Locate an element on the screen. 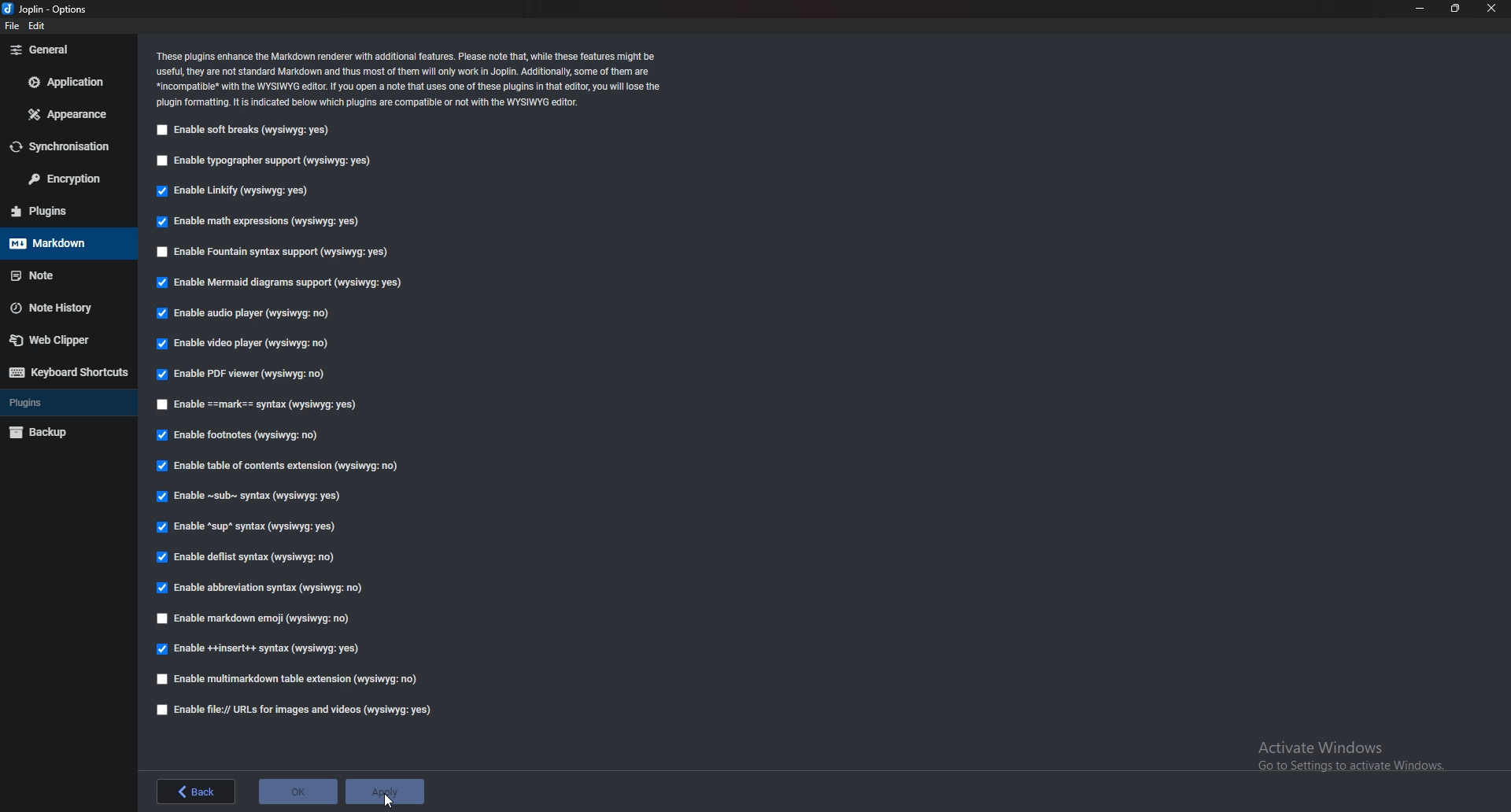 This screenshot has height=812, width=1511. close is located at coordinates (1492, 9).